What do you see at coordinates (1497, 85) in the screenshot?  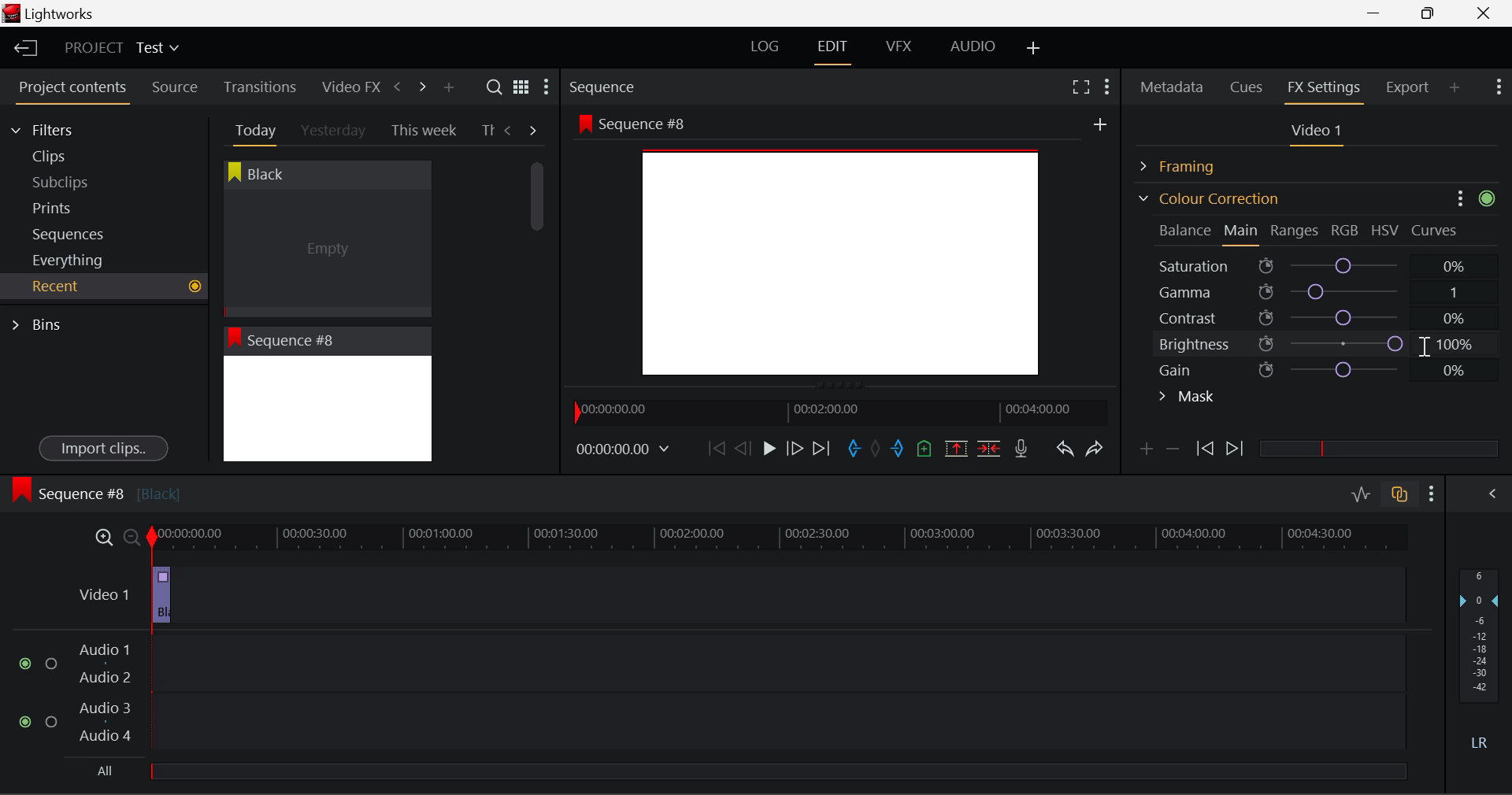 I see `Show Settings` at bounding box center [1497, 85].